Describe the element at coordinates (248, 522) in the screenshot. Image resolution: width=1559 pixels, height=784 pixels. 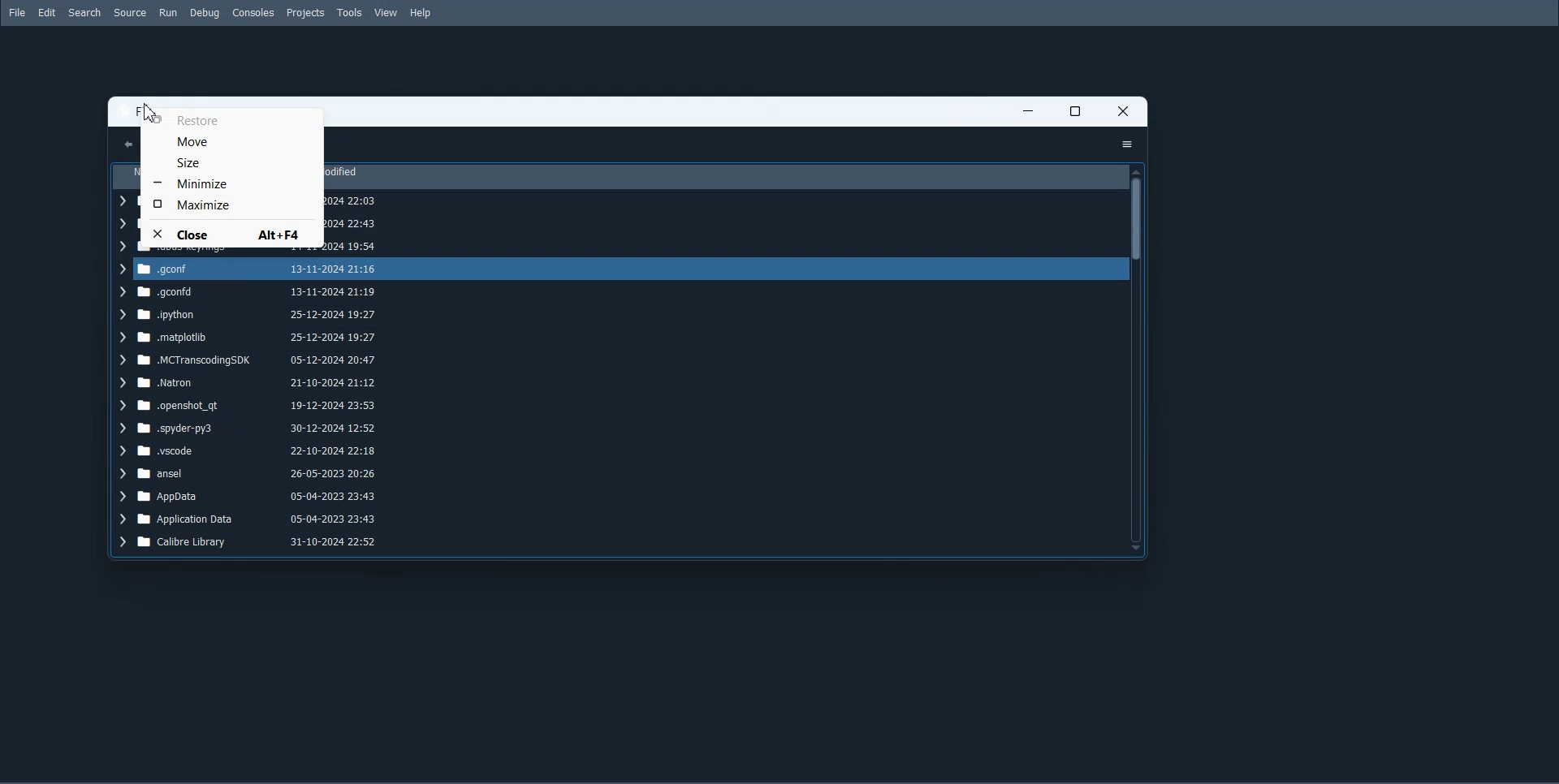
I see `Application Data 05-04-2023 23:43` at that location.